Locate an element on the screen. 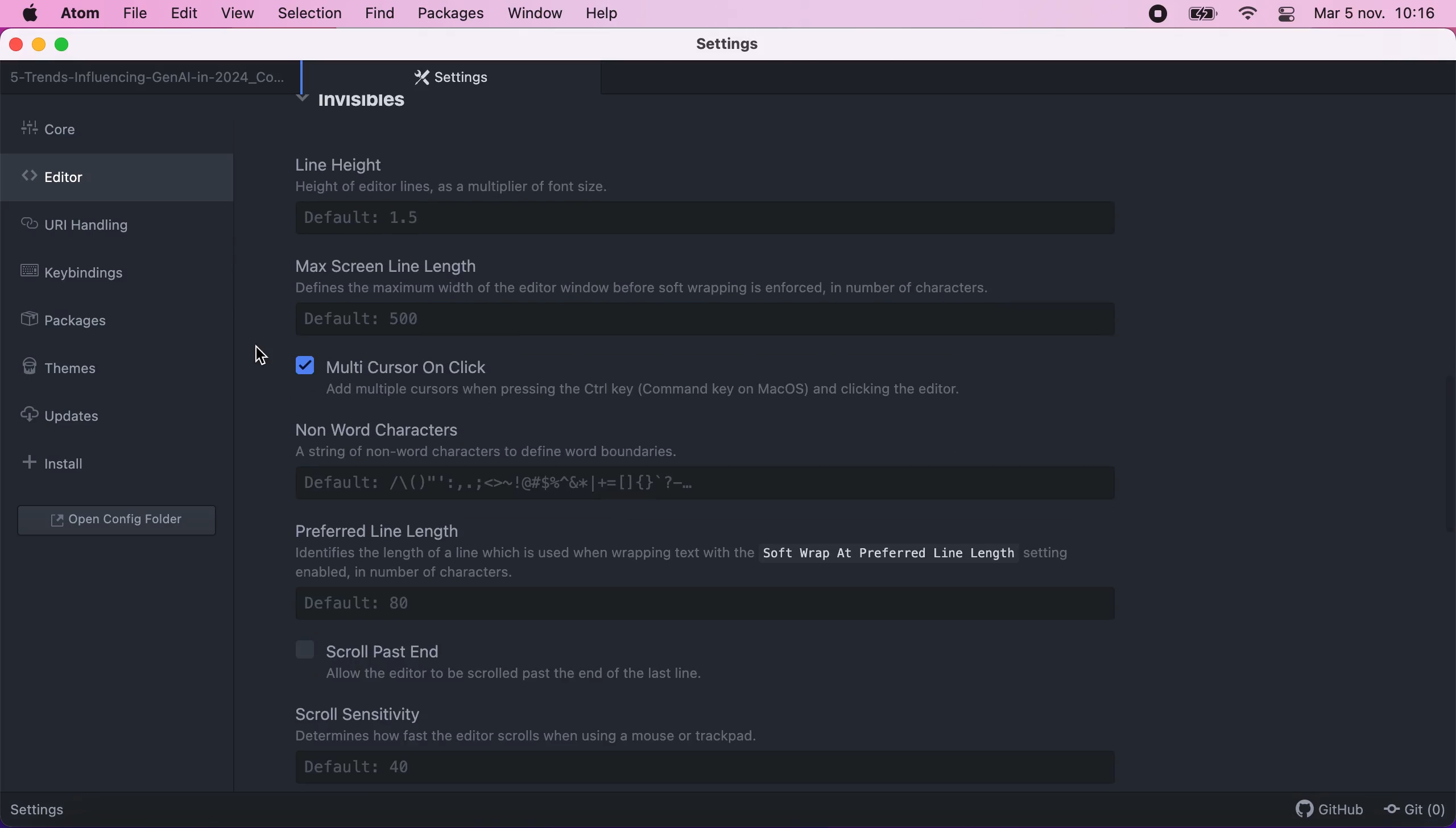 This screenshot has height=828, width=1456. Default: 48 is located at coordinates (719, 767).